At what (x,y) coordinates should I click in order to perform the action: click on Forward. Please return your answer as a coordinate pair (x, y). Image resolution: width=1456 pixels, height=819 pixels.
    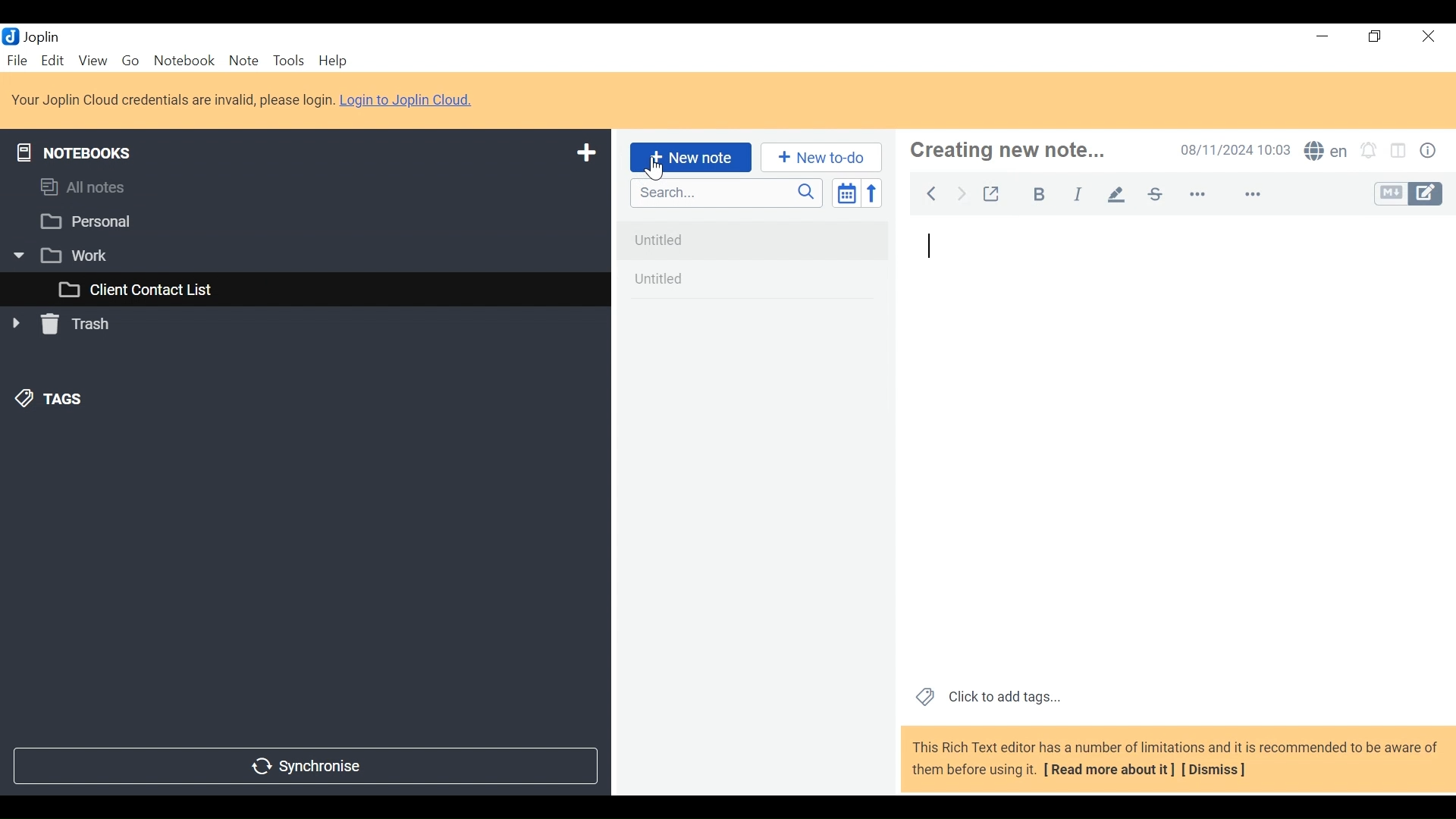
    Looking at the image, I should click on (962, 193).